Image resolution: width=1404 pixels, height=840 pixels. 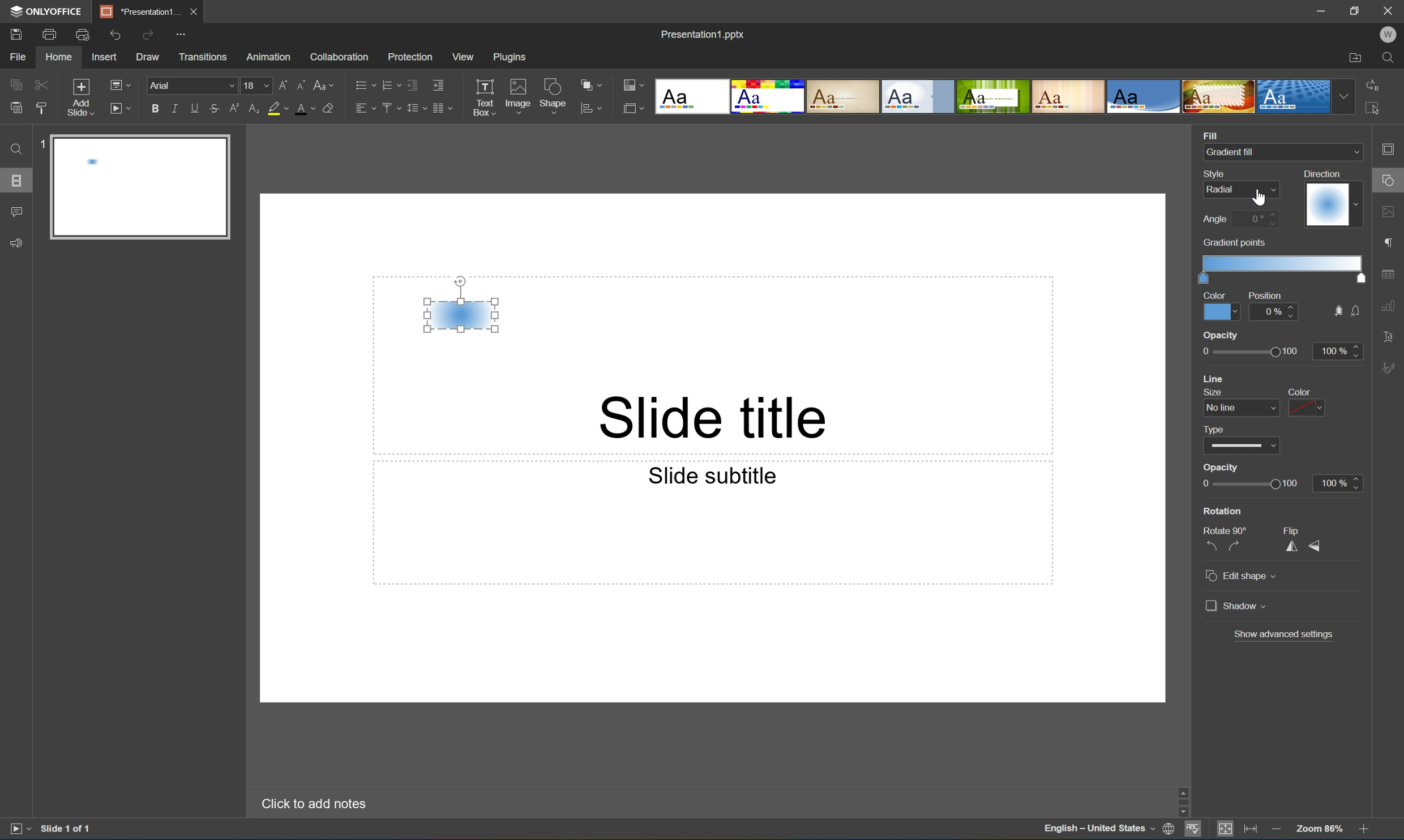 I want to click on Text Box, so click(x=483, y=97).